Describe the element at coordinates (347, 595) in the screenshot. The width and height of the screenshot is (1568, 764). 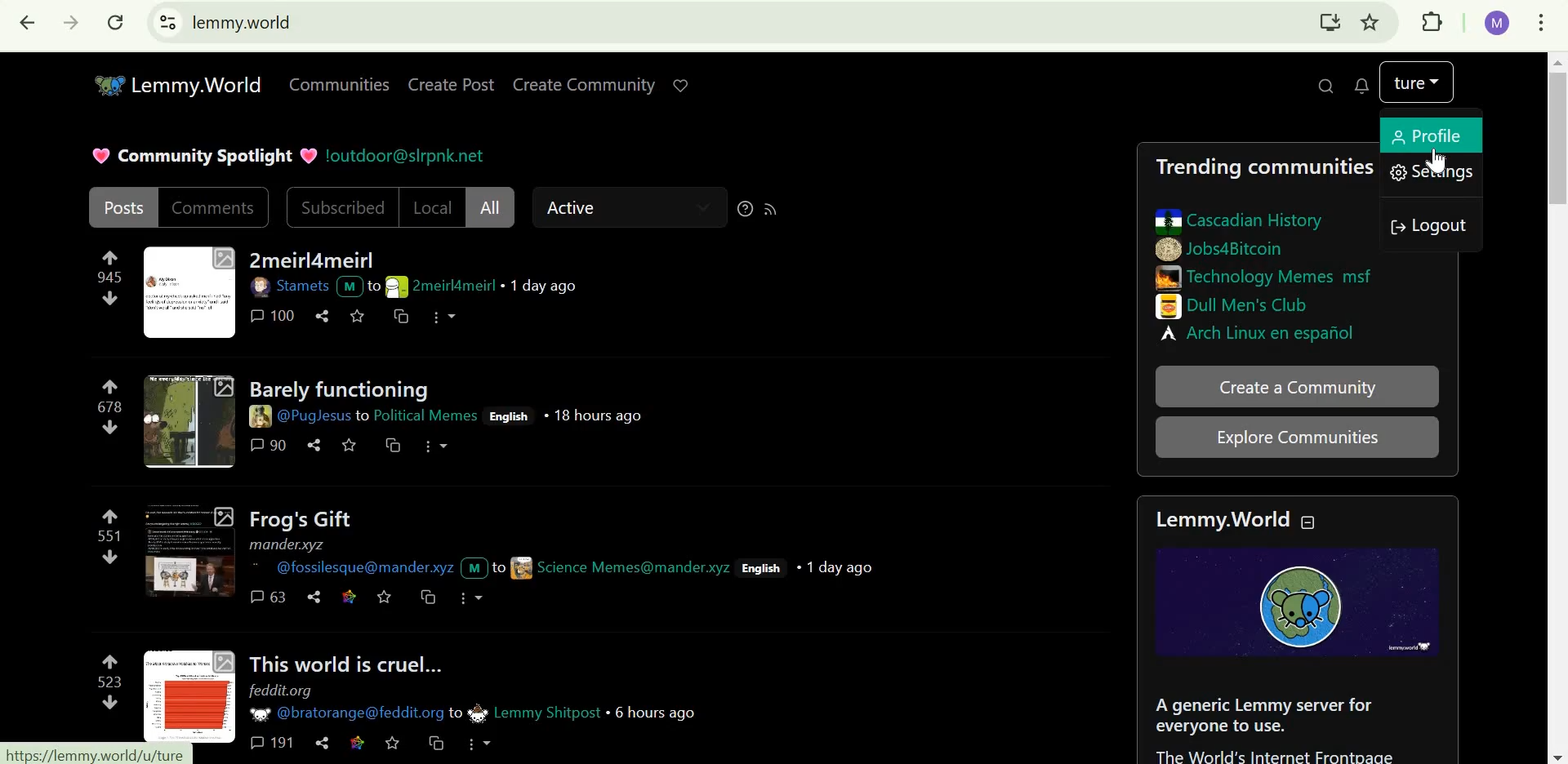
I see `link` at that location.